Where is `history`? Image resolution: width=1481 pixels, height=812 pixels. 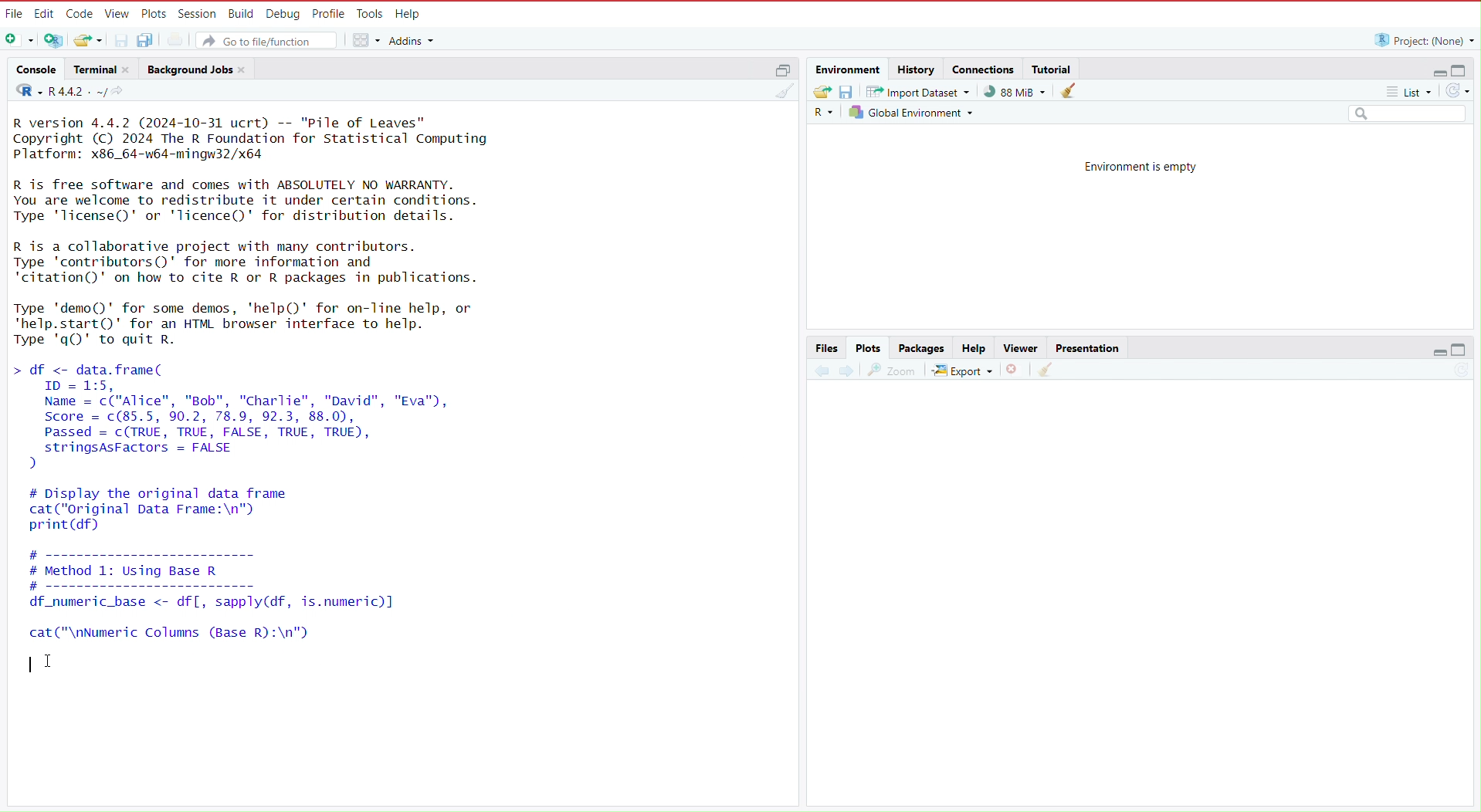 history is located at coordinates (917, 68).